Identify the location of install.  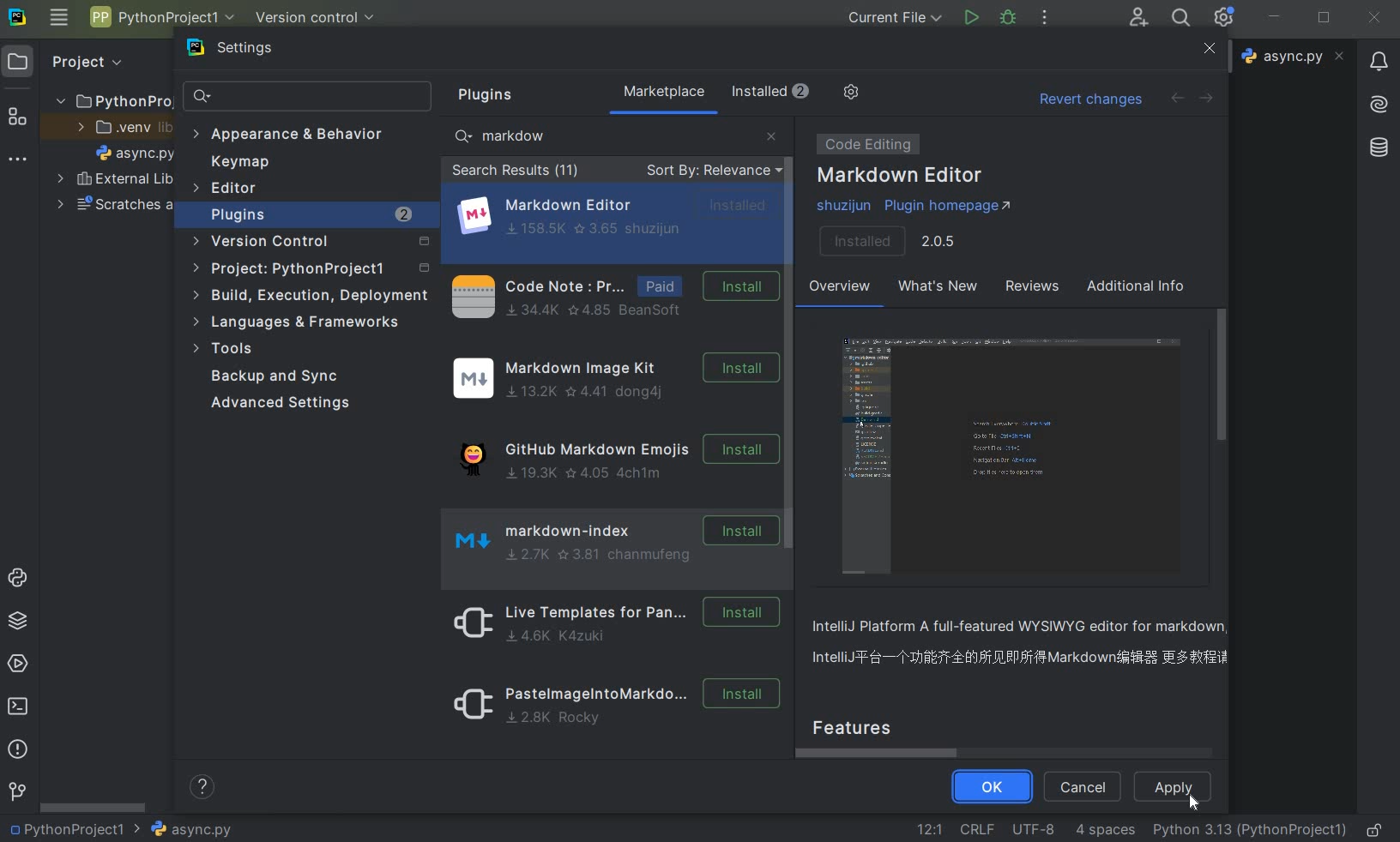
(890, 242).